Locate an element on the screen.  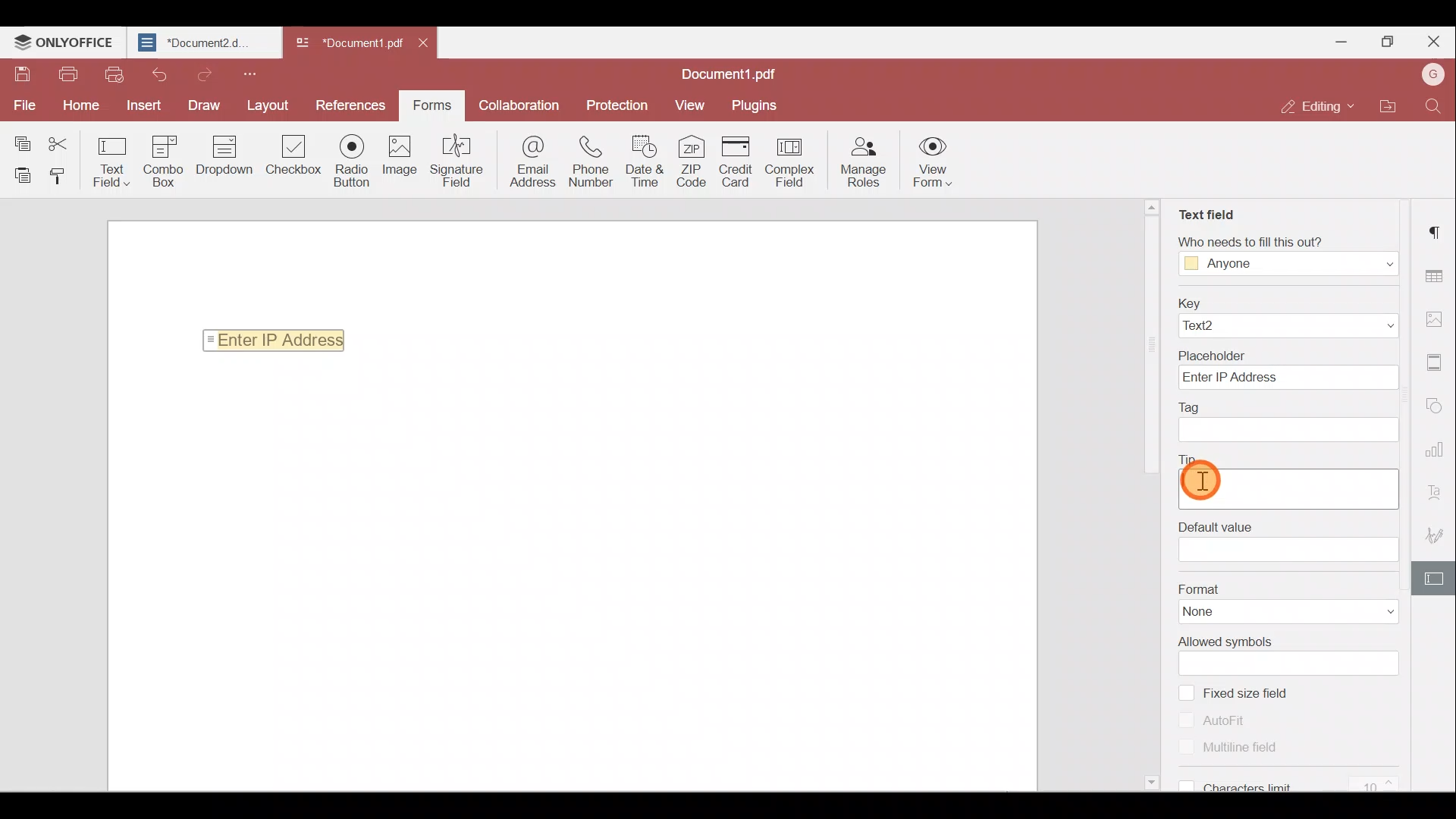
Tag is located at coordinates (1288, 419).